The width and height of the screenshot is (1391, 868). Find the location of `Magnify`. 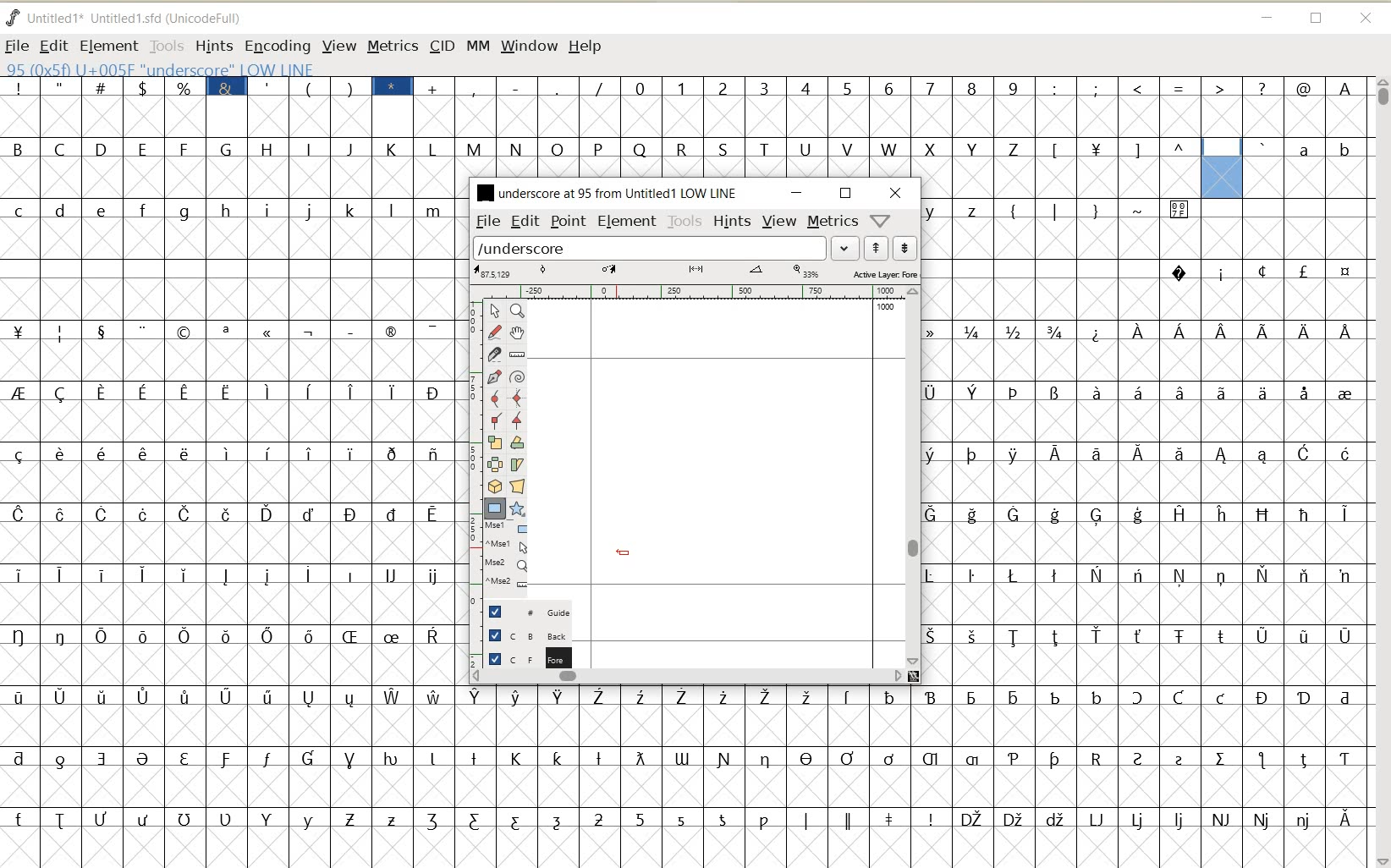

Magnify is located at coordinates (516, 310).